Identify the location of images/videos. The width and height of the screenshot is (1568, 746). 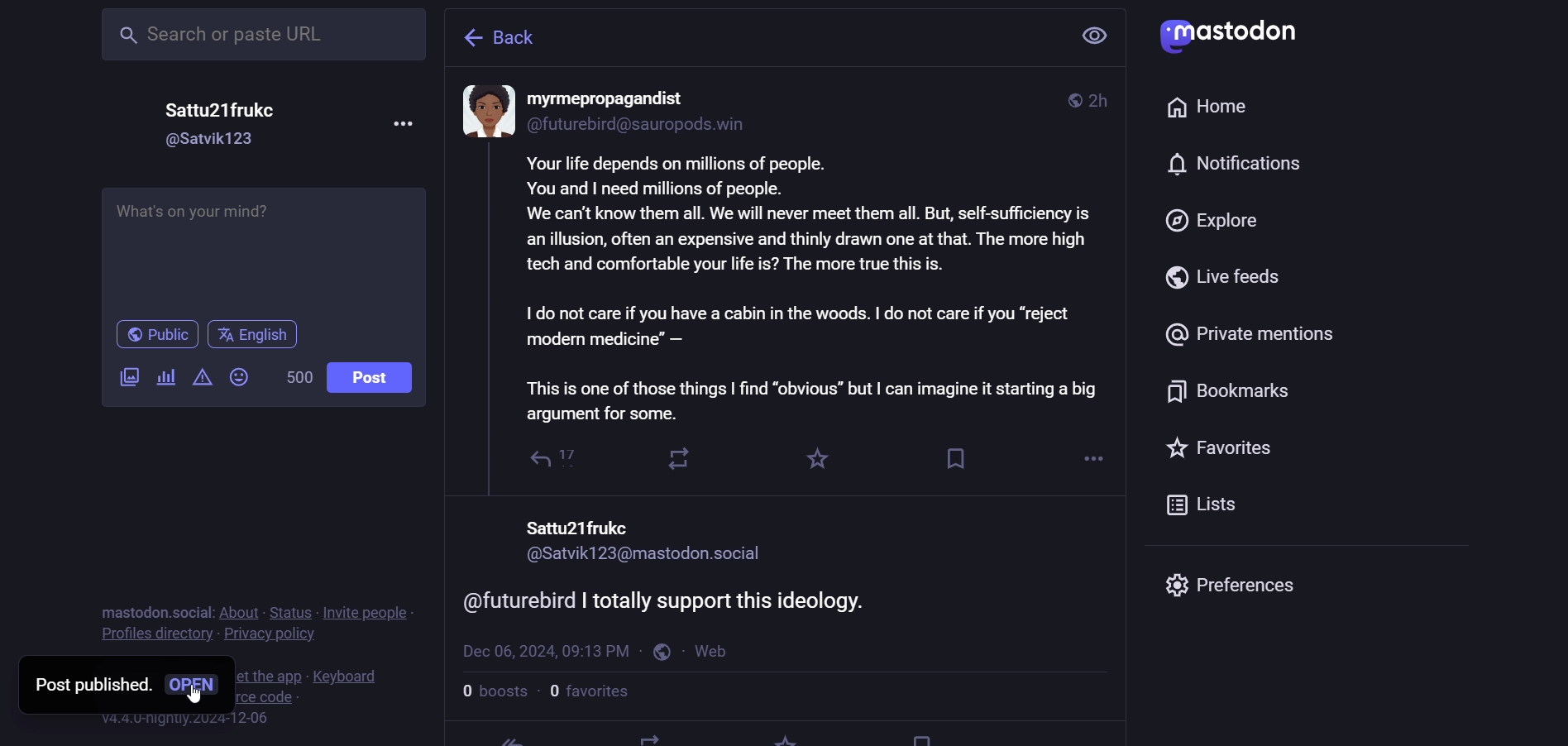
(123, 377).